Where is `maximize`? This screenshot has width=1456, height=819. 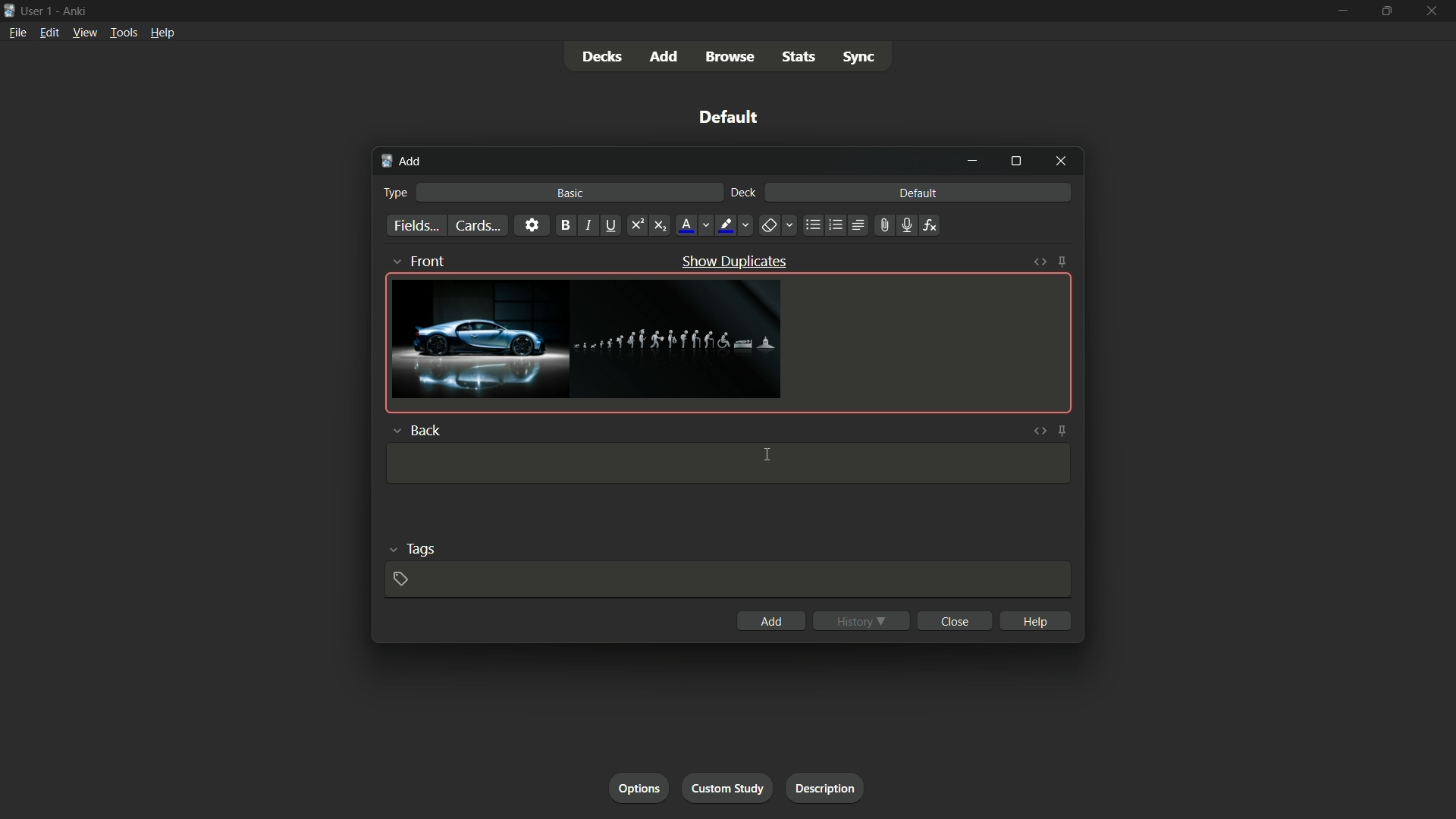 maximize is located at coordinates (1387, 11).